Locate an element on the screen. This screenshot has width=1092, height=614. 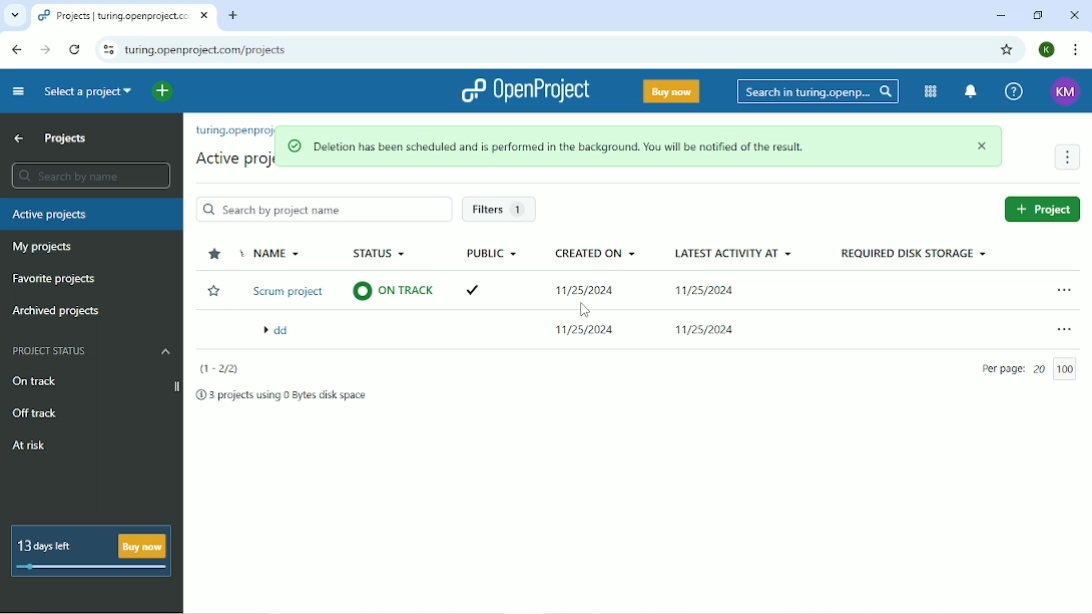
turing.openproject.com/projects is located at coordinates (207, 51).